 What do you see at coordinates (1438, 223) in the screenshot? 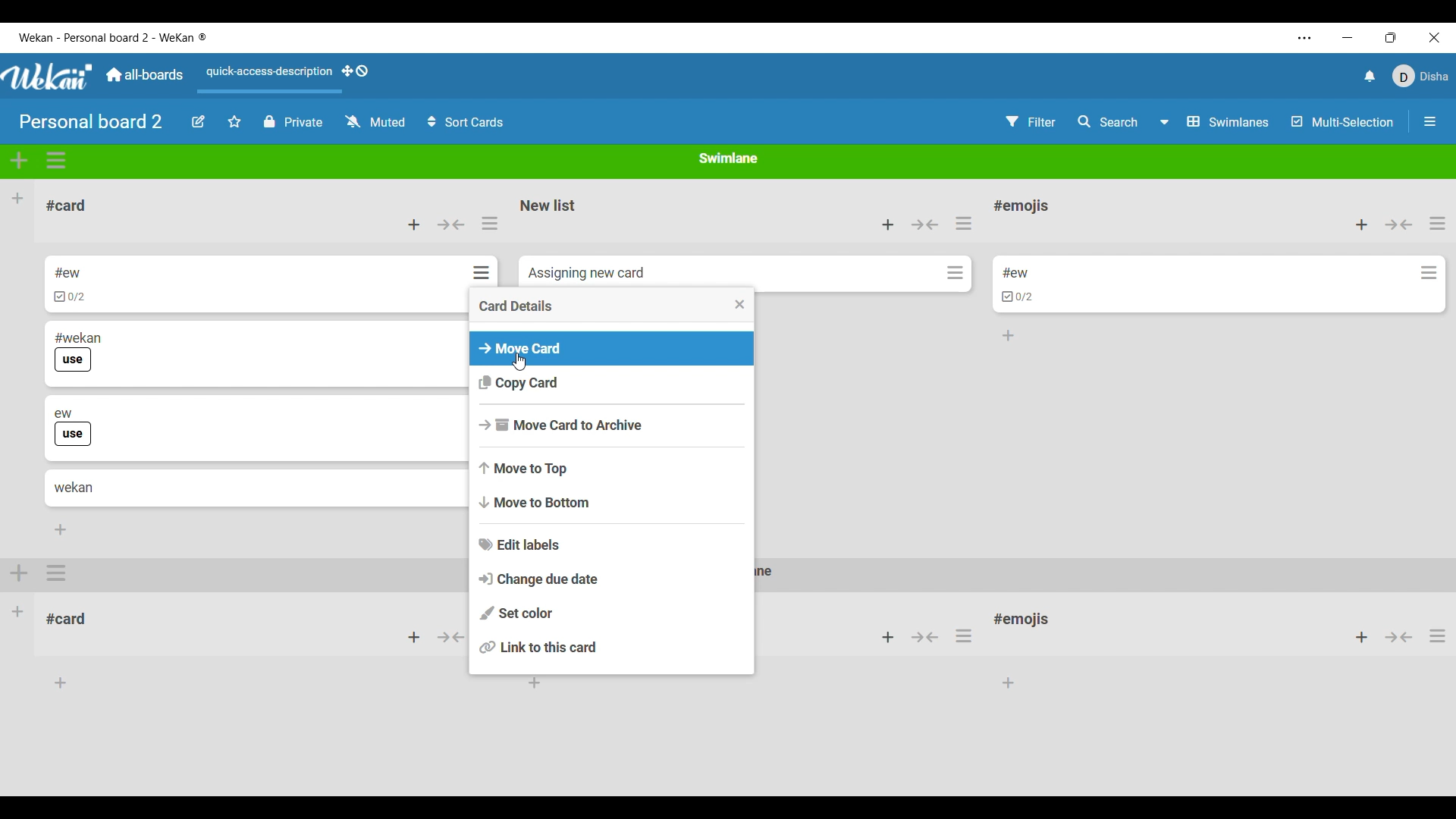
I see `List actions` at bounding box center [1438, 223].